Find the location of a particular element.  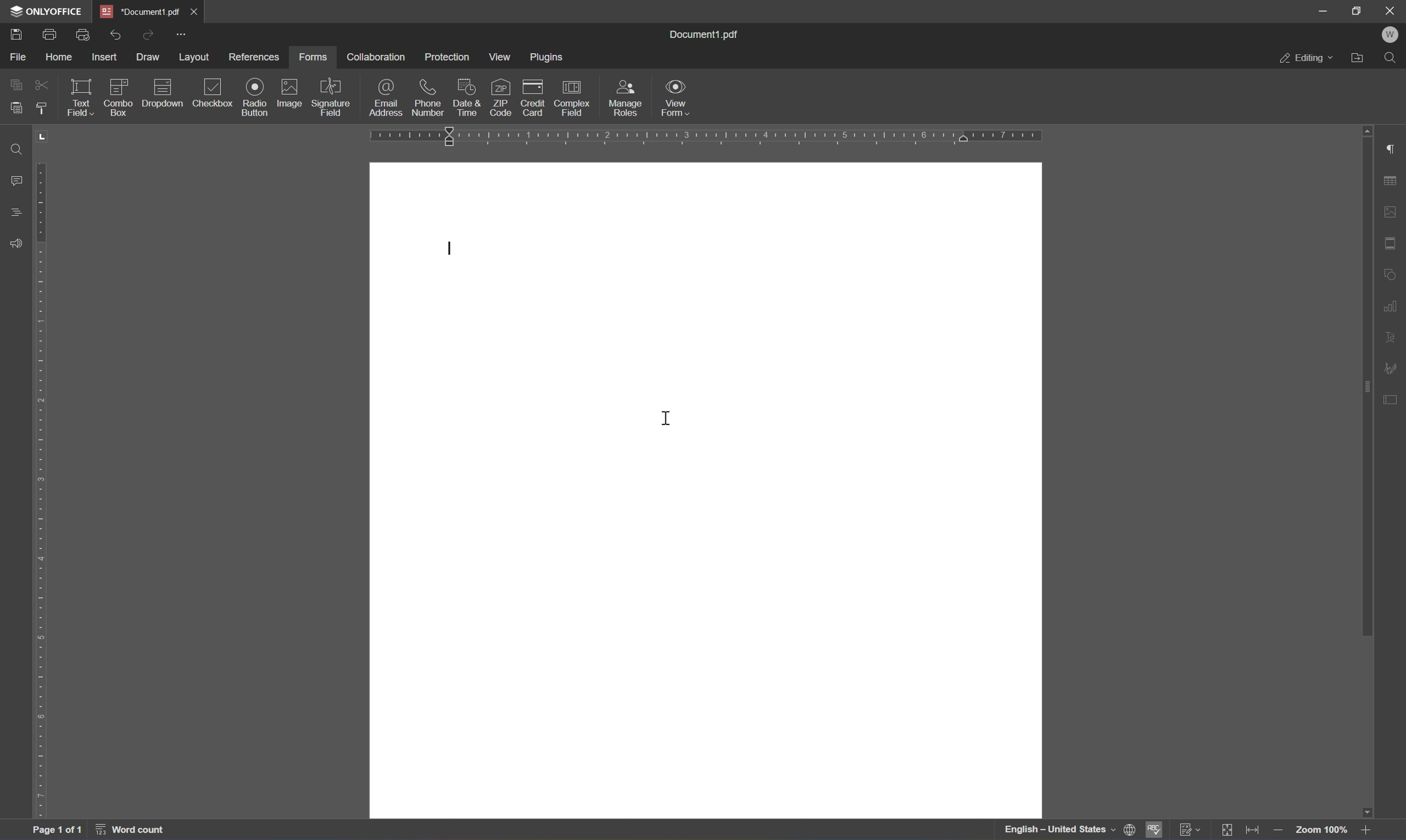

feedback and support is located at coordinates (14, 245).